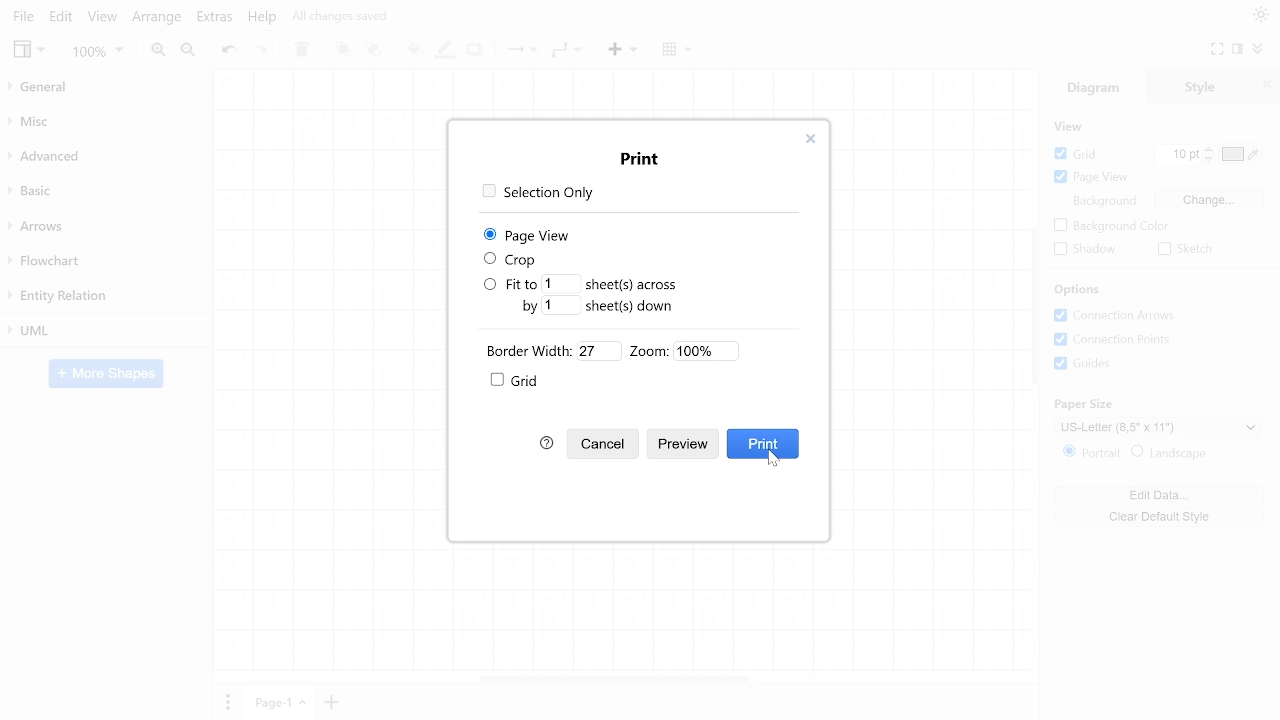  I want to click on Clear default style, so click(1165, 517).